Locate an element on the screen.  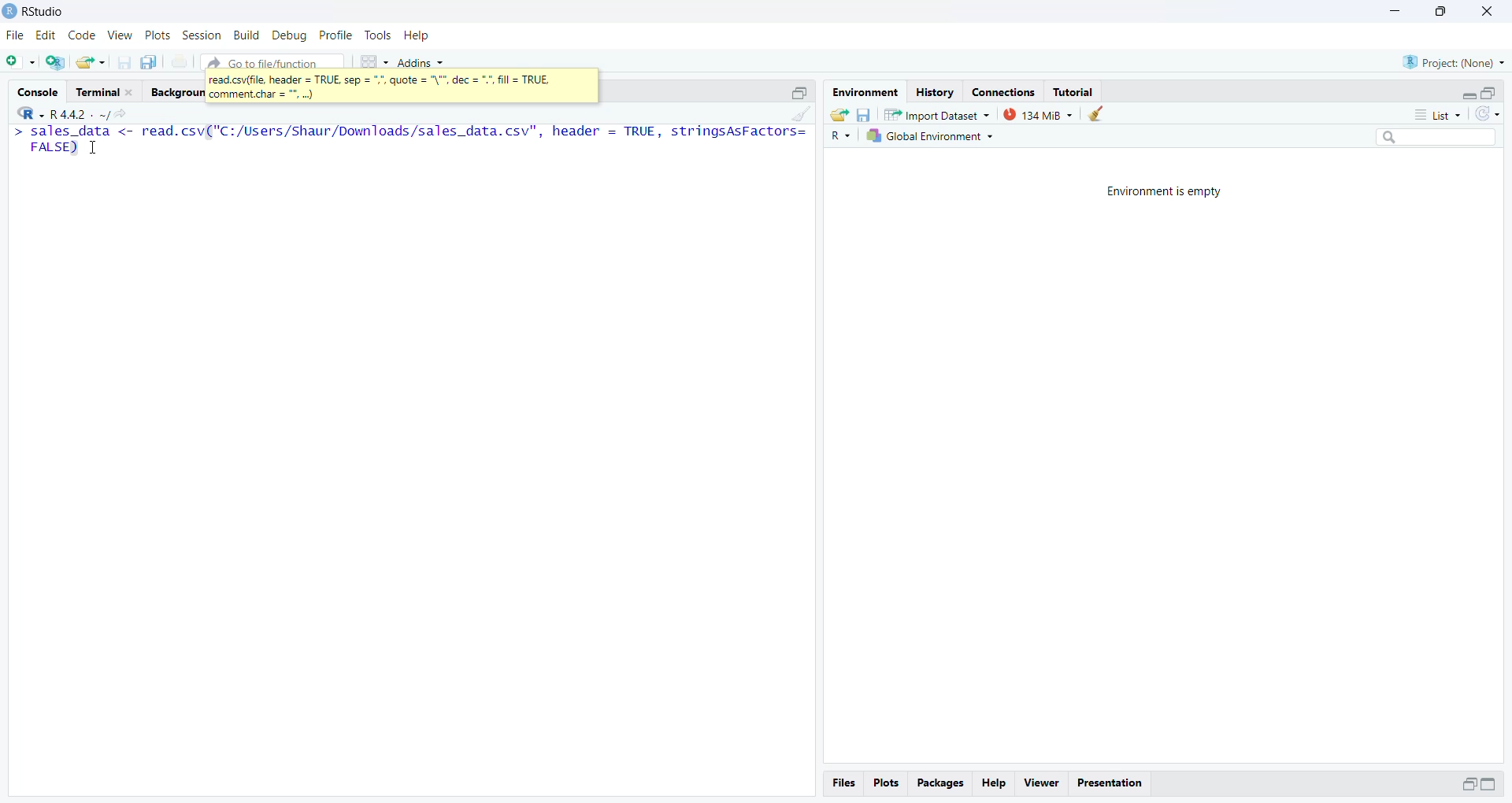
Load workspace is located at coordinates (839, 115).